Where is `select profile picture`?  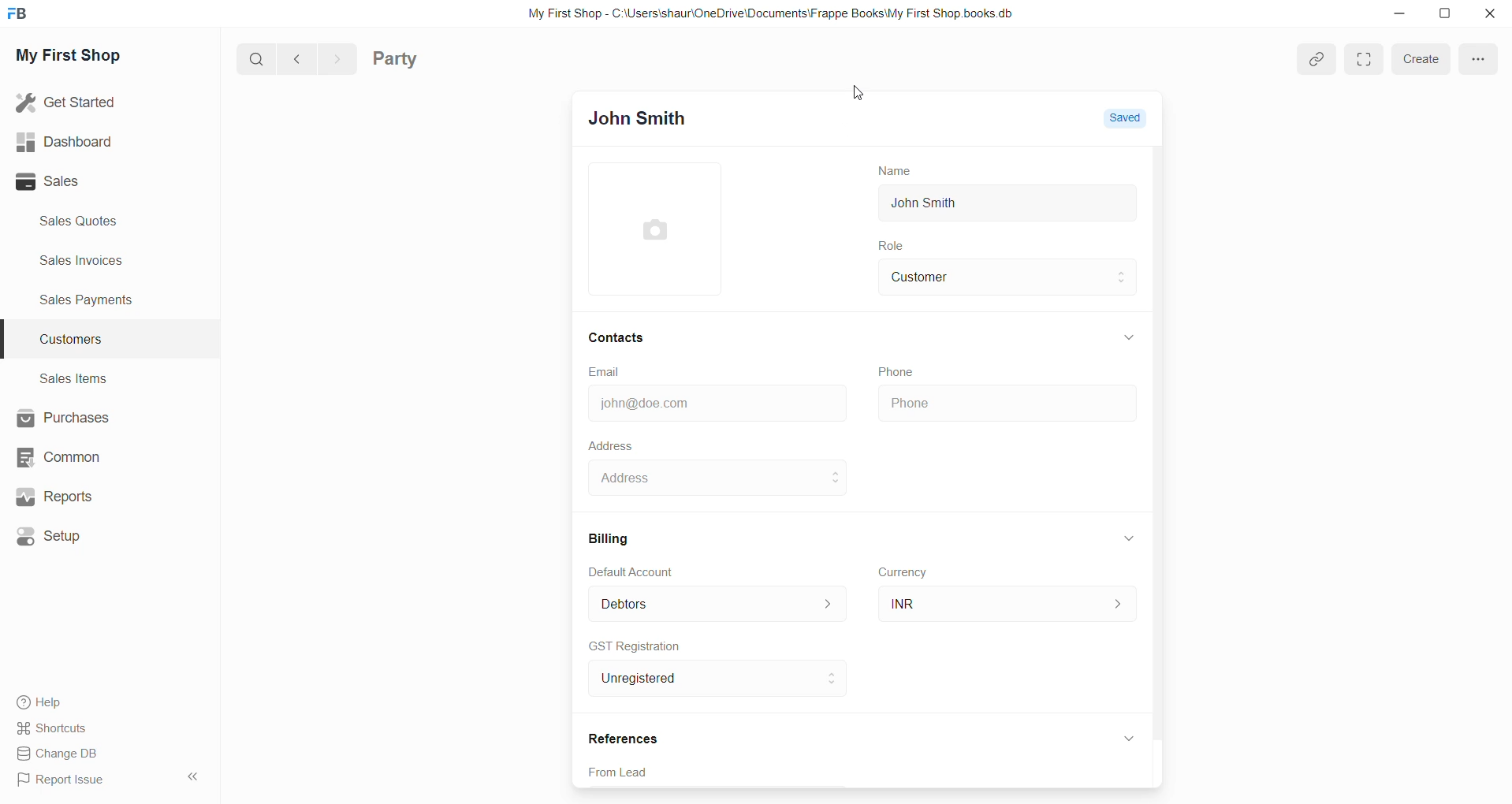 select profile picture is located at coordinates (662, 229).